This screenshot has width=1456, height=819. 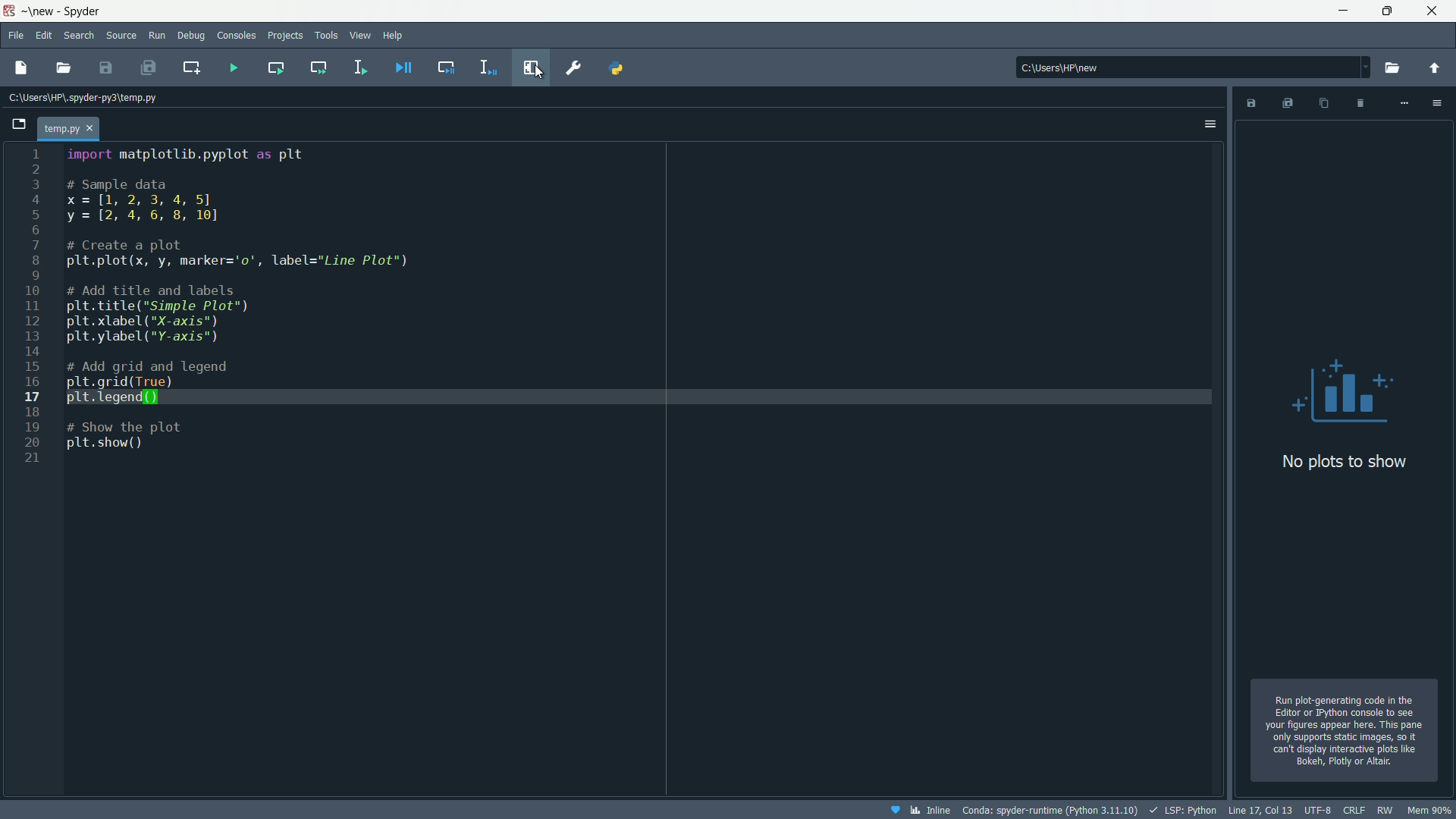 I want to click on preferences, so click(x=572, y=67).